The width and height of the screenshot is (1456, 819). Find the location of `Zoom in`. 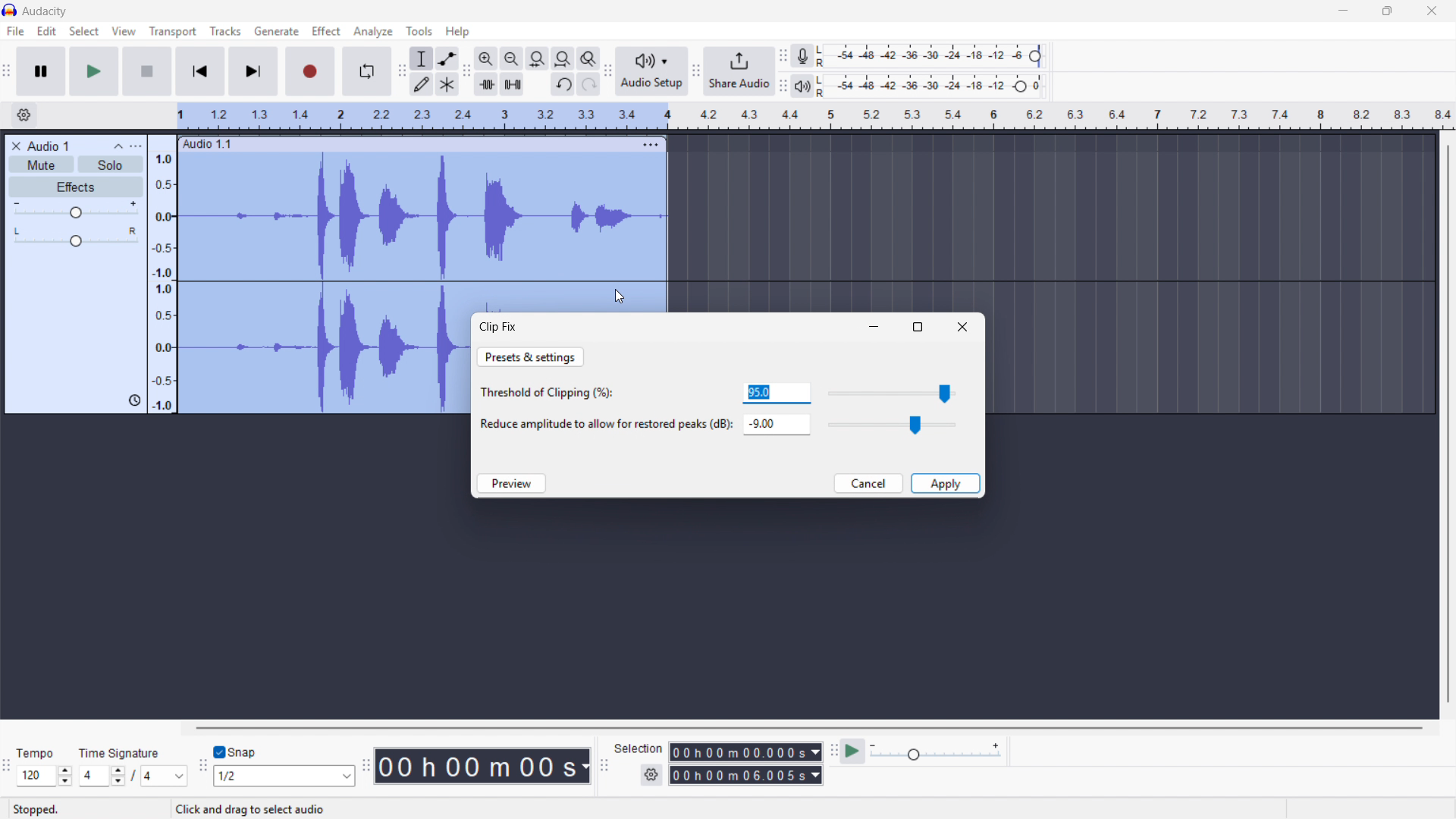

Zoom in is located at coordinates (486, 58).